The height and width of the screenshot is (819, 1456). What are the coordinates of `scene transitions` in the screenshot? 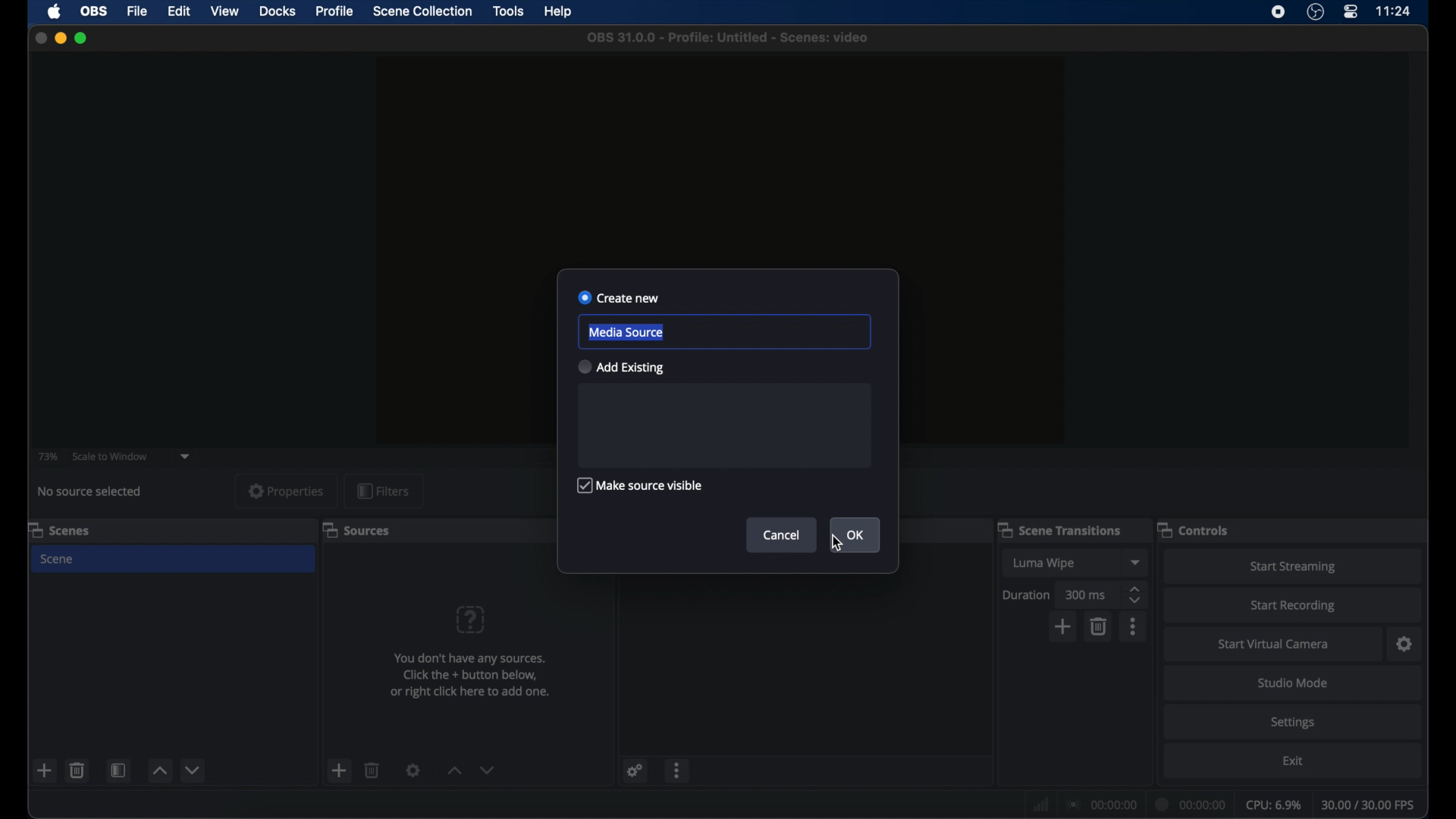 It's located at (1060, 529).